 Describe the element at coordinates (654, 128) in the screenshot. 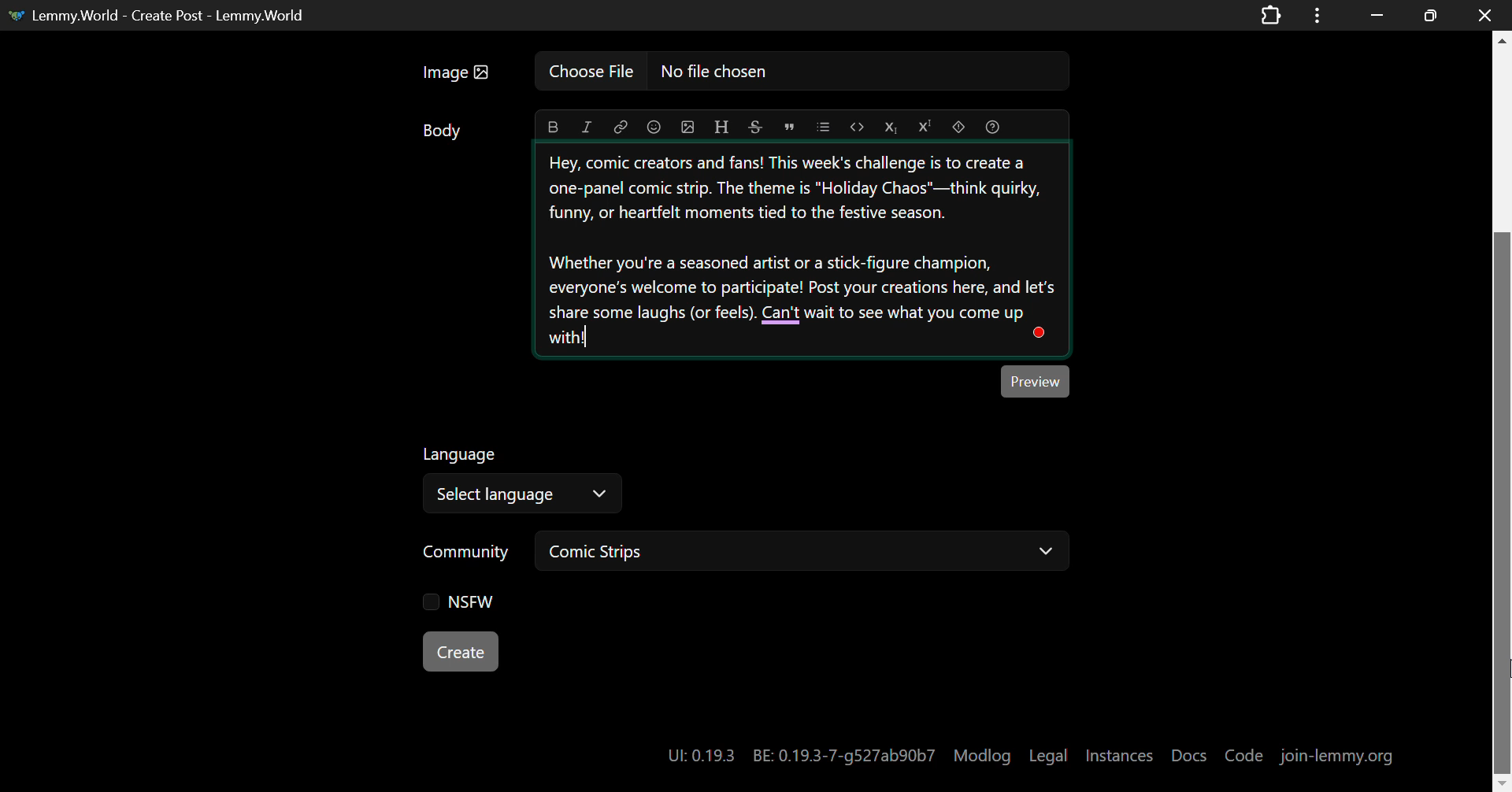

I see `Emoji` at that location.